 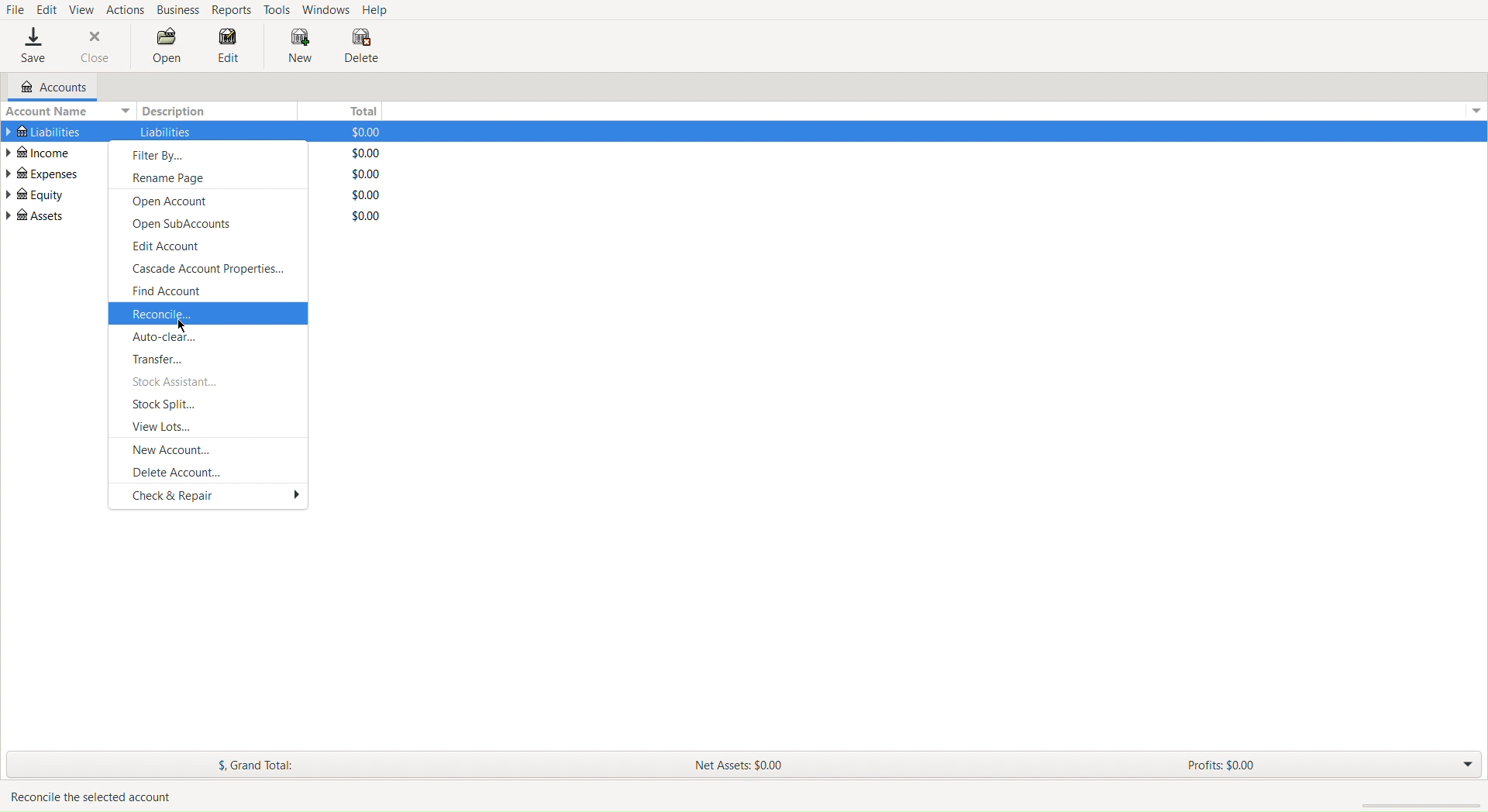 What do you see at coordinates (361, 111) in the screenshot?
I see `Total` at bounding box center [361, 111].